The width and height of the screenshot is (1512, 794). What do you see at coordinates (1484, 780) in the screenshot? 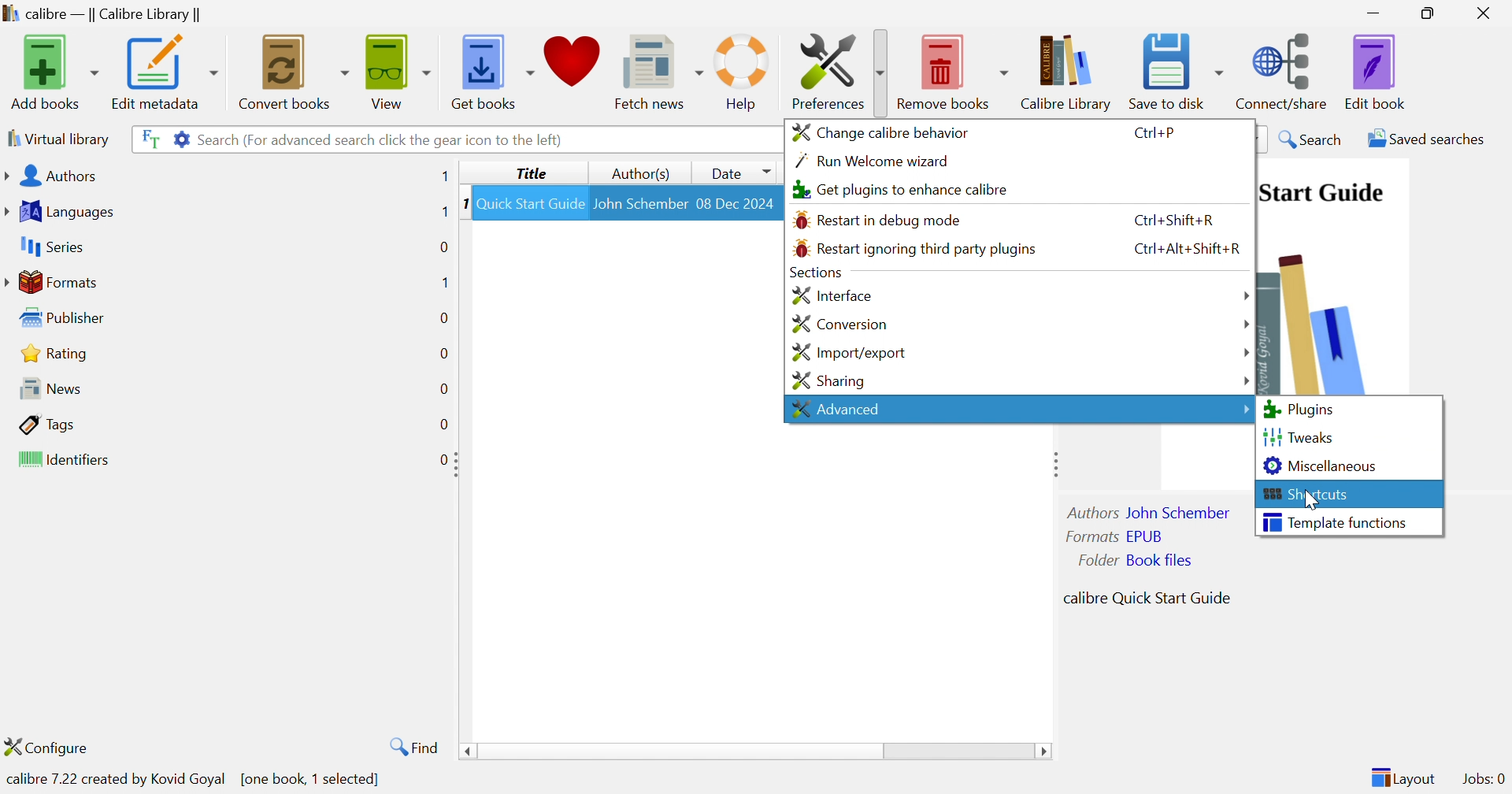
I see `Jobs: 0` at bounding box center [1484, 780].